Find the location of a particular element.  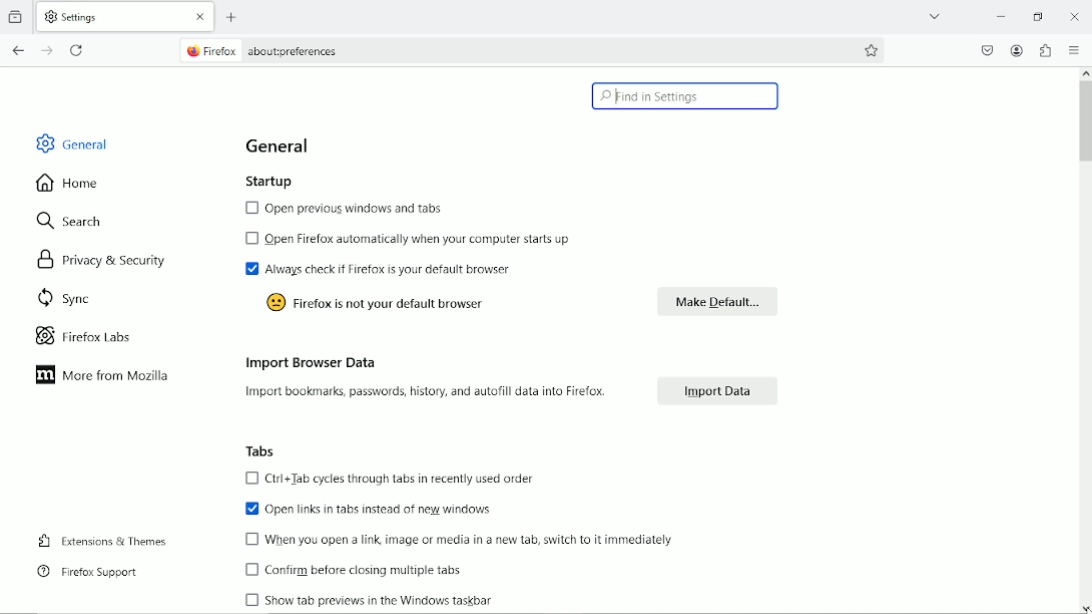

View recent browsing is located at coordinates (18, 15).